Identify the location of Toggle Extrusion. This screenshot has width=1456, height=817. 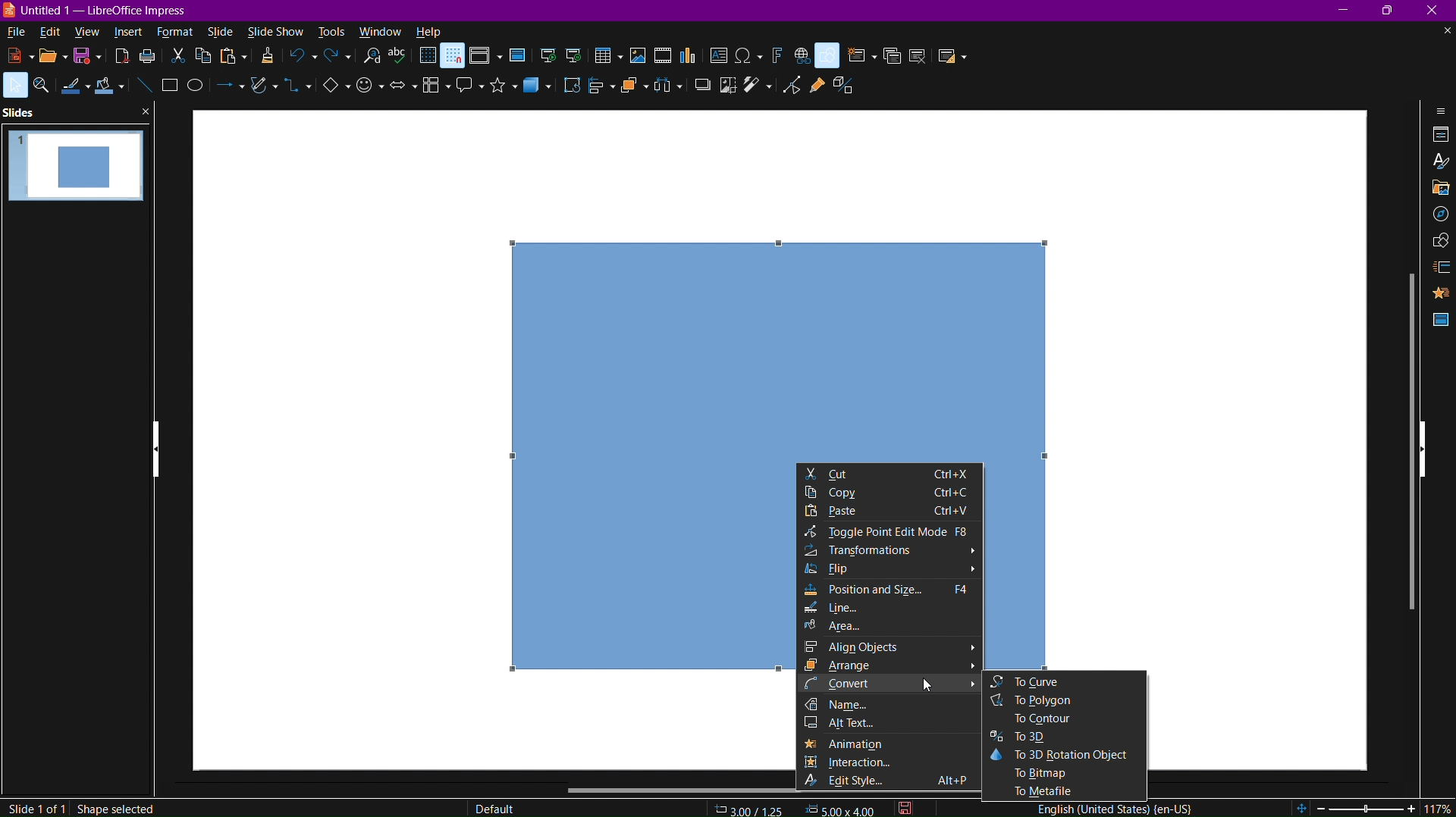
(845, 86).